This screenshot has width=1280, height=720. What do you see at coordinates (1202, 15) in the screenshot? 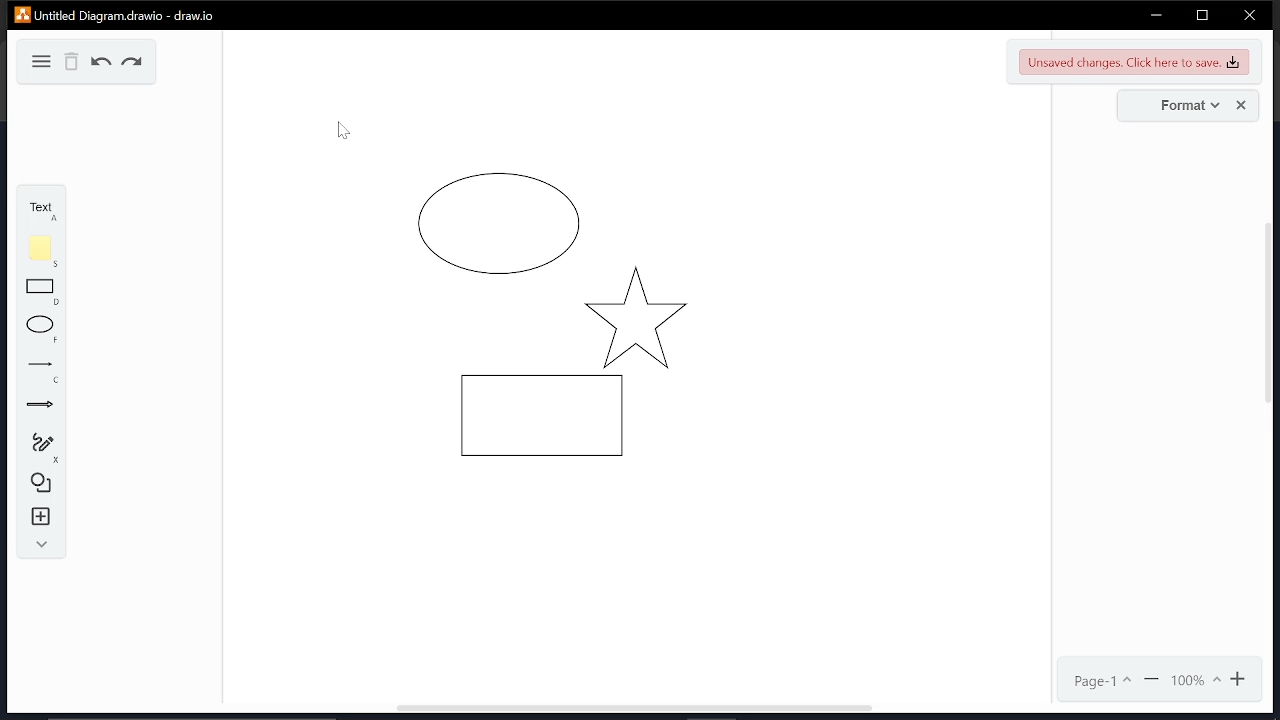
I see `restore down` at bounding box center [1202, 15].